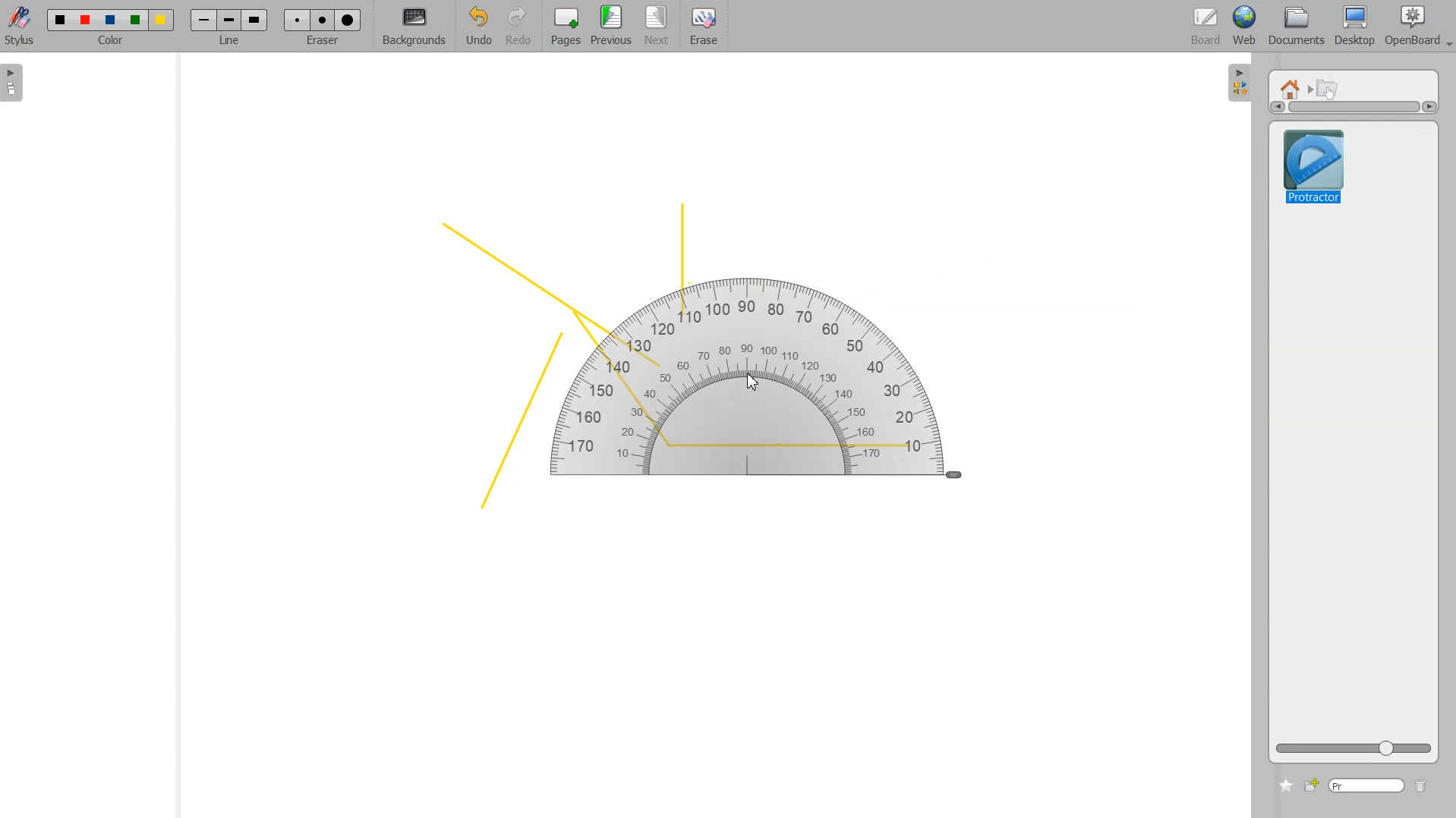  Describe the element at coordinates (1421, 787) in the screenshot. I see `Delete` at that location.